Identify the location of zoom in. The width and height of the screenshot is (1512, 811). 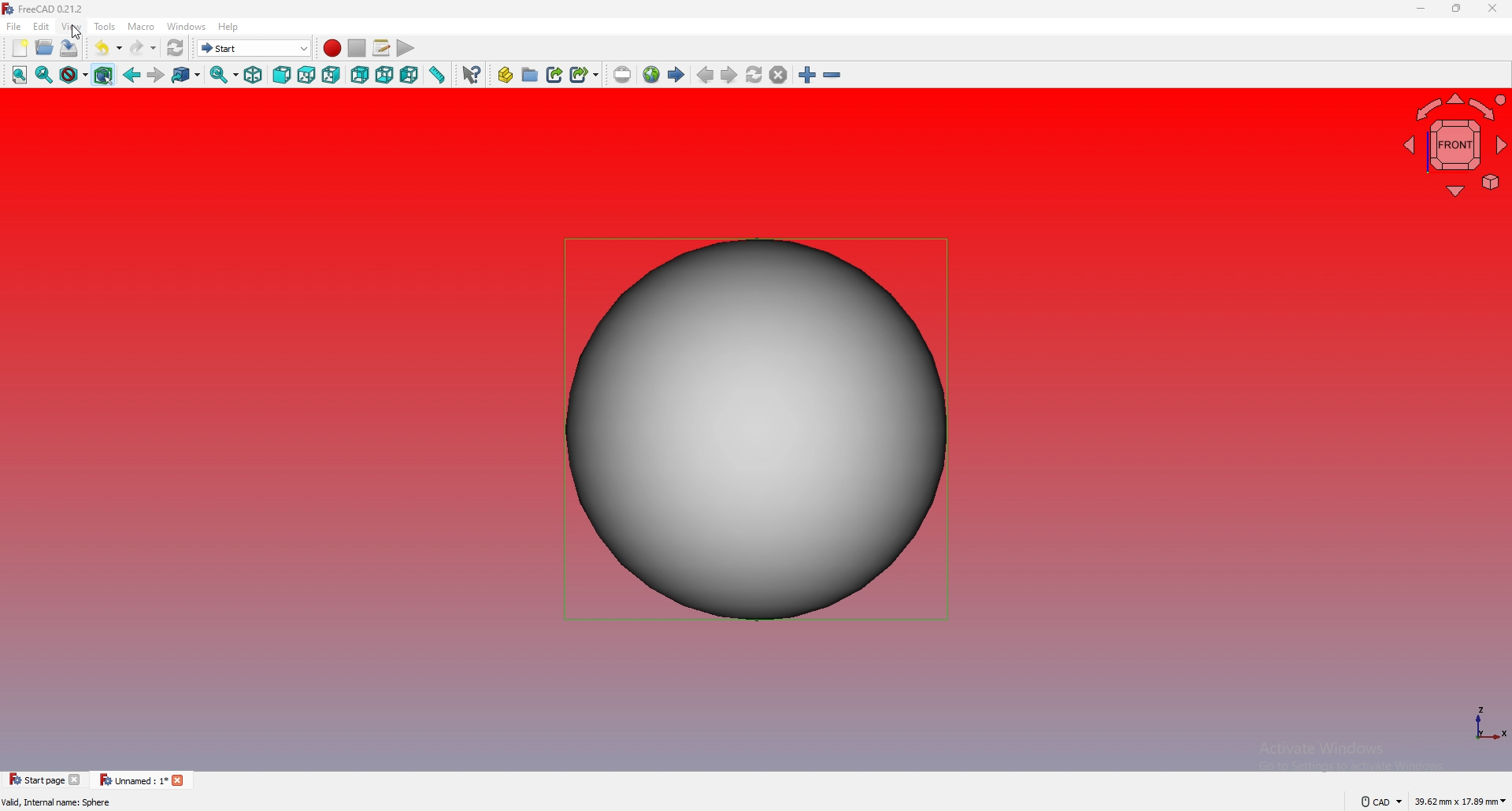
(807, 75).